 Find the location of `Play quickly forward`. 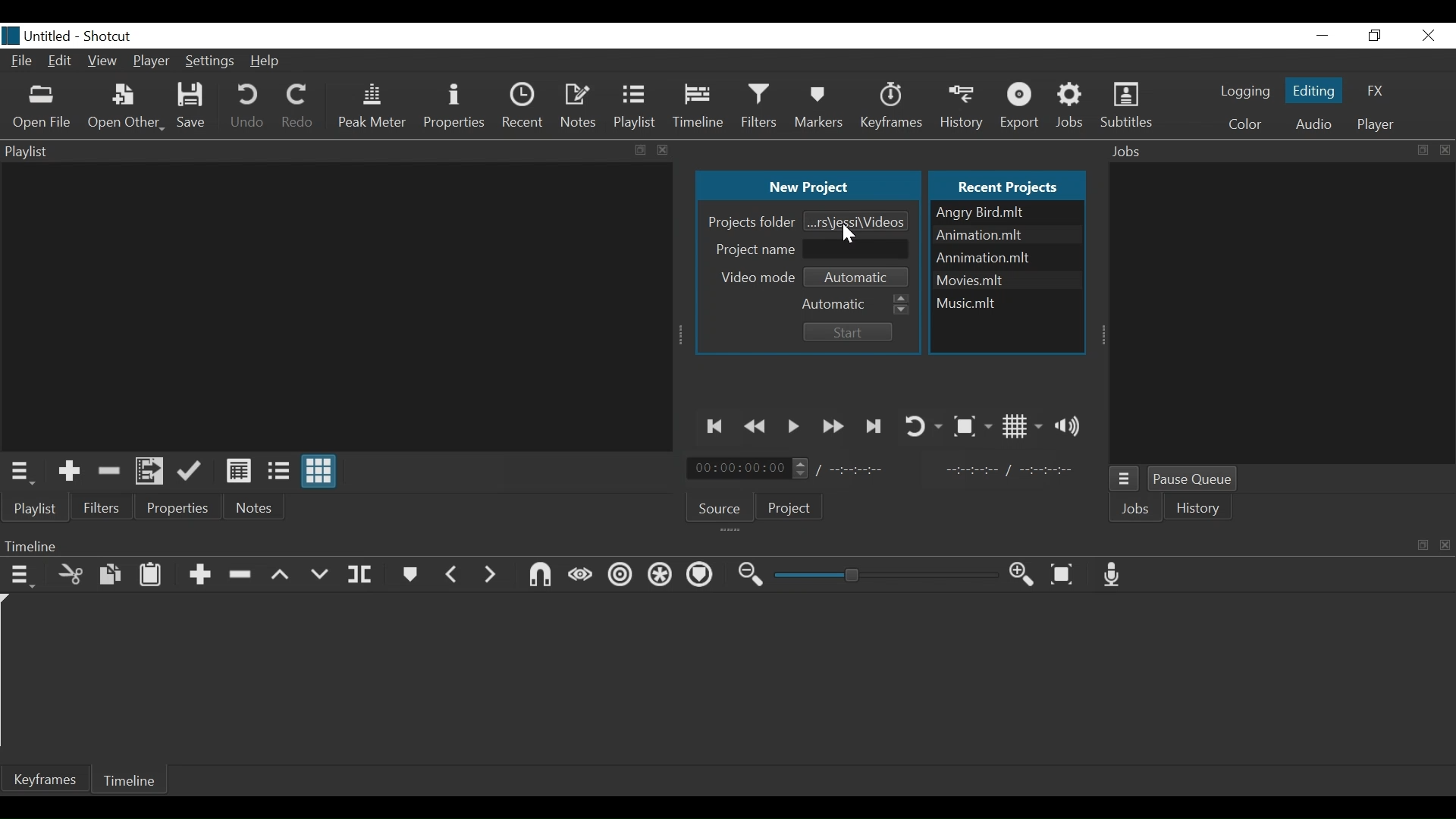

Play quickly forward is located at coordinates (833, 426).